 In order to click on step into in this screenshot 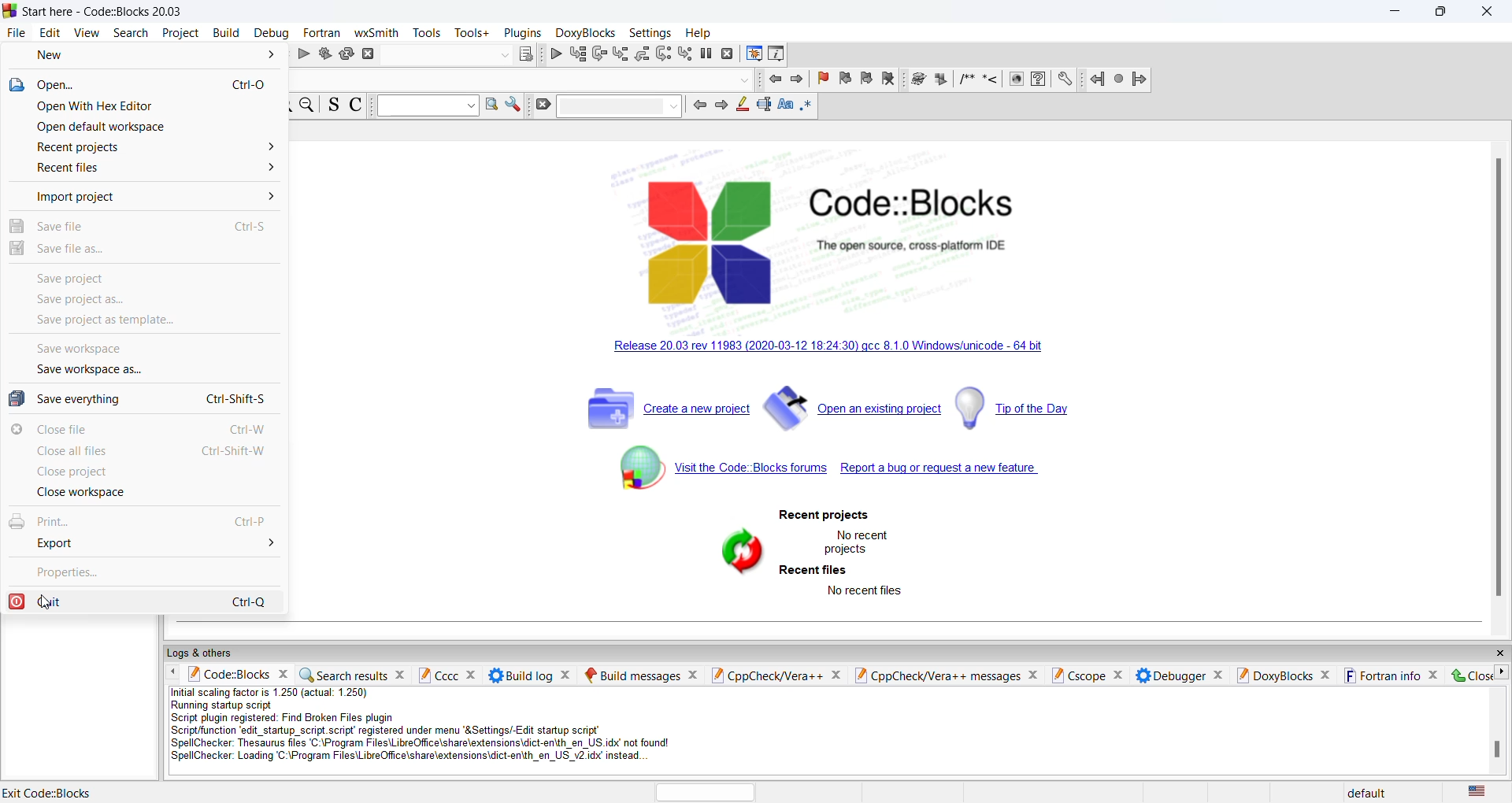, I will do `click(641, 54)`.